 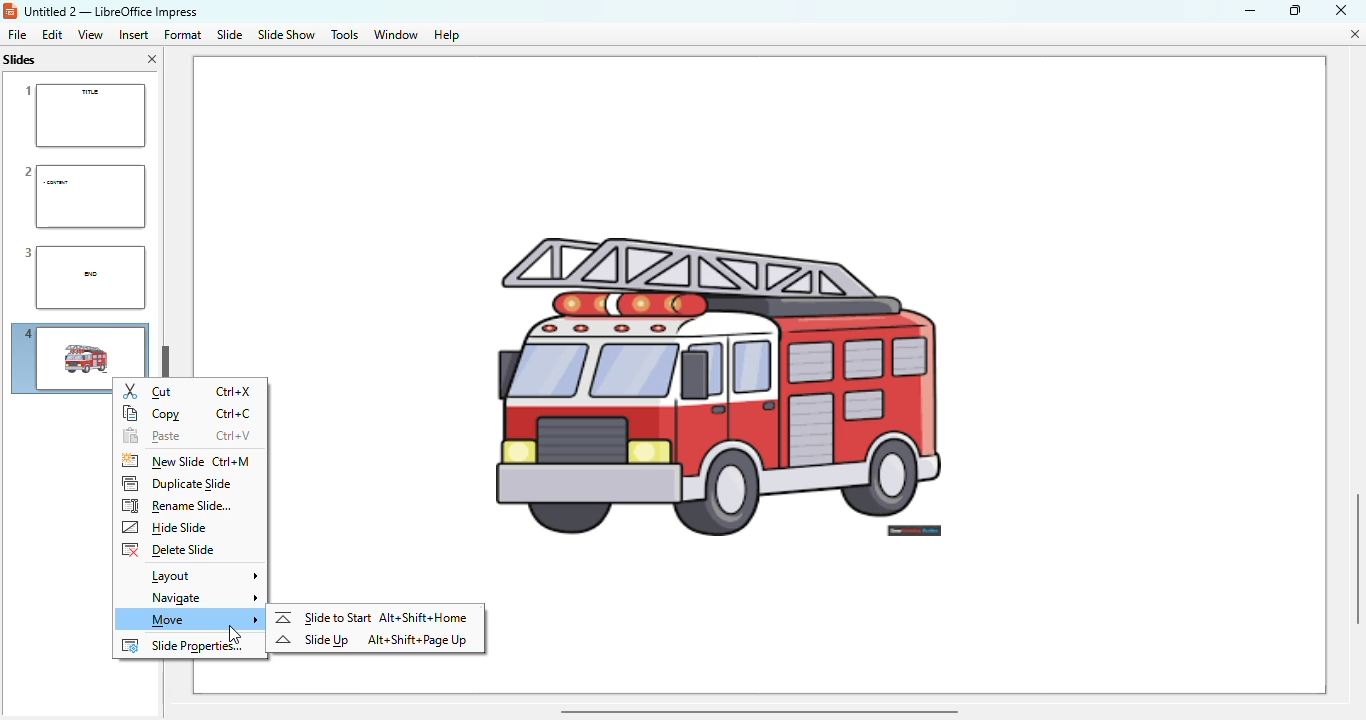 I want to click on slide 3, so click(x=81, y=278).